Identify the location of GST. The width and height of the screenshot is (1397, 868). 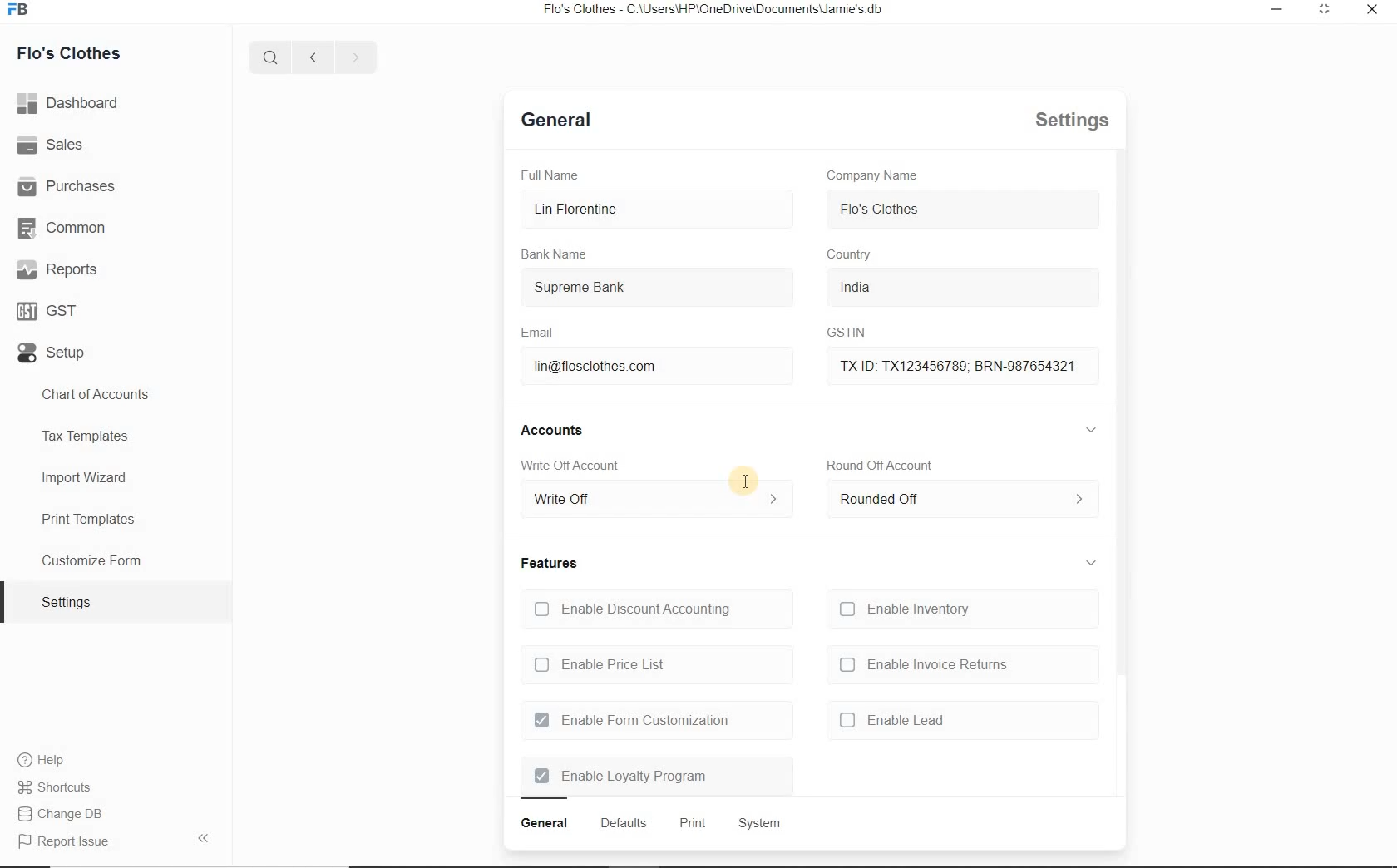
(46, 312).